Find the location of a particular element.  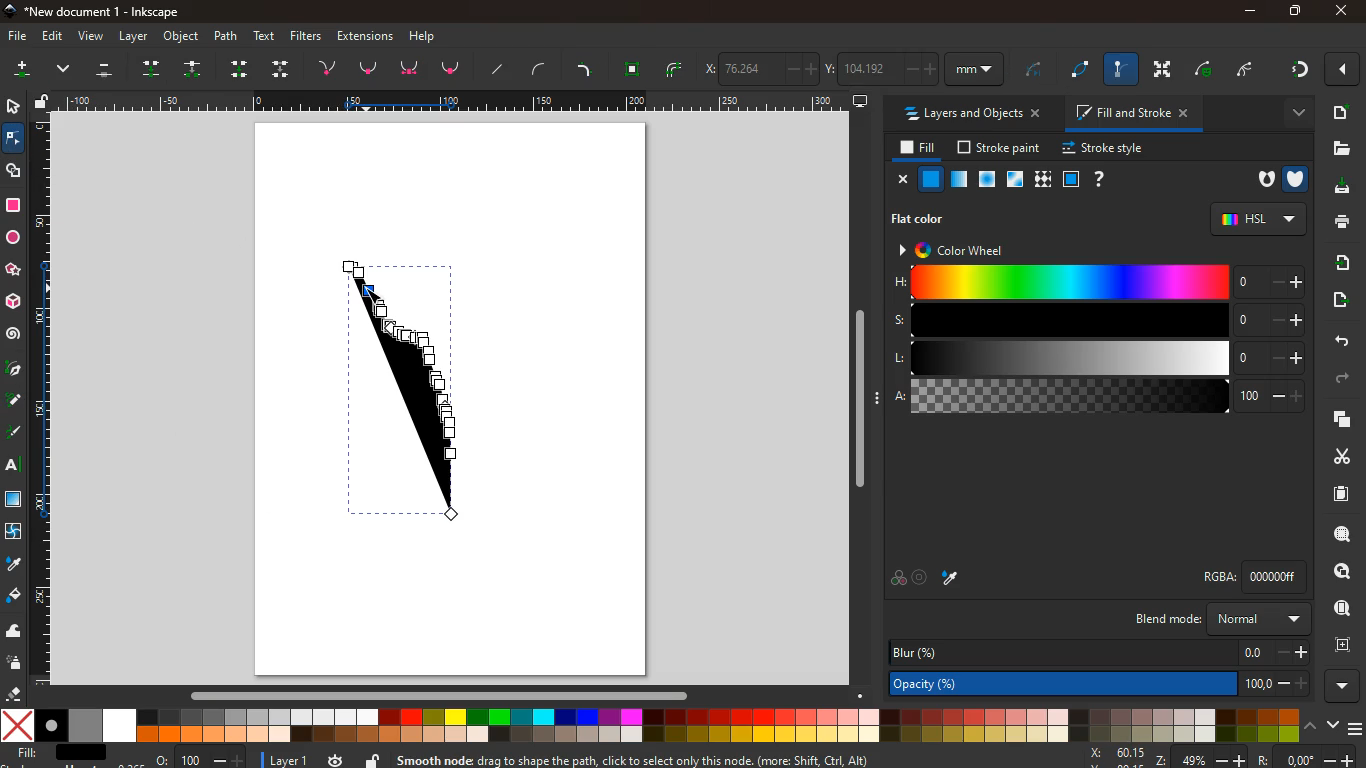

s is located at coordinates (1096, 320).